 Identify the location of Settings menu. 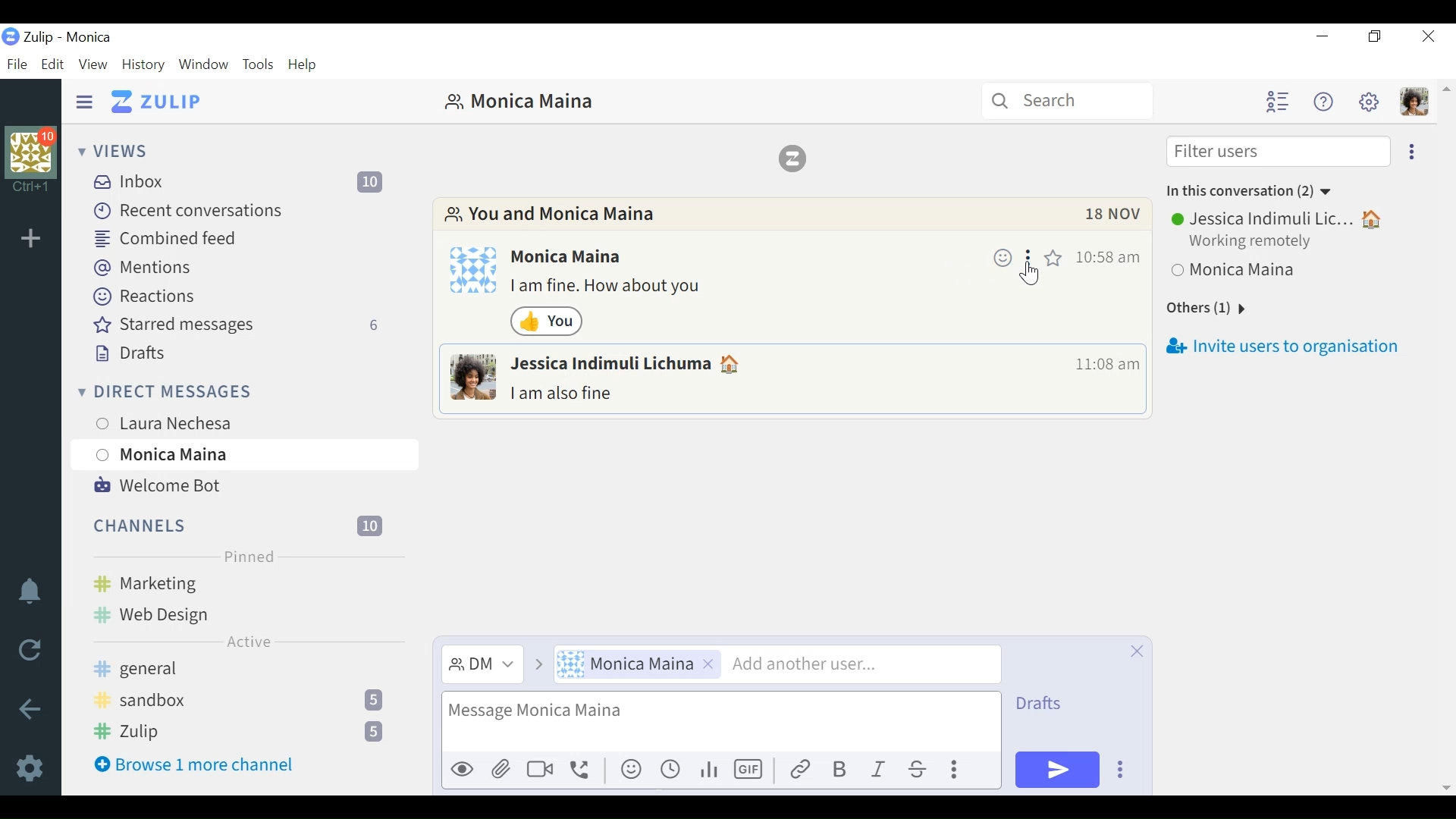
(1369, 102).